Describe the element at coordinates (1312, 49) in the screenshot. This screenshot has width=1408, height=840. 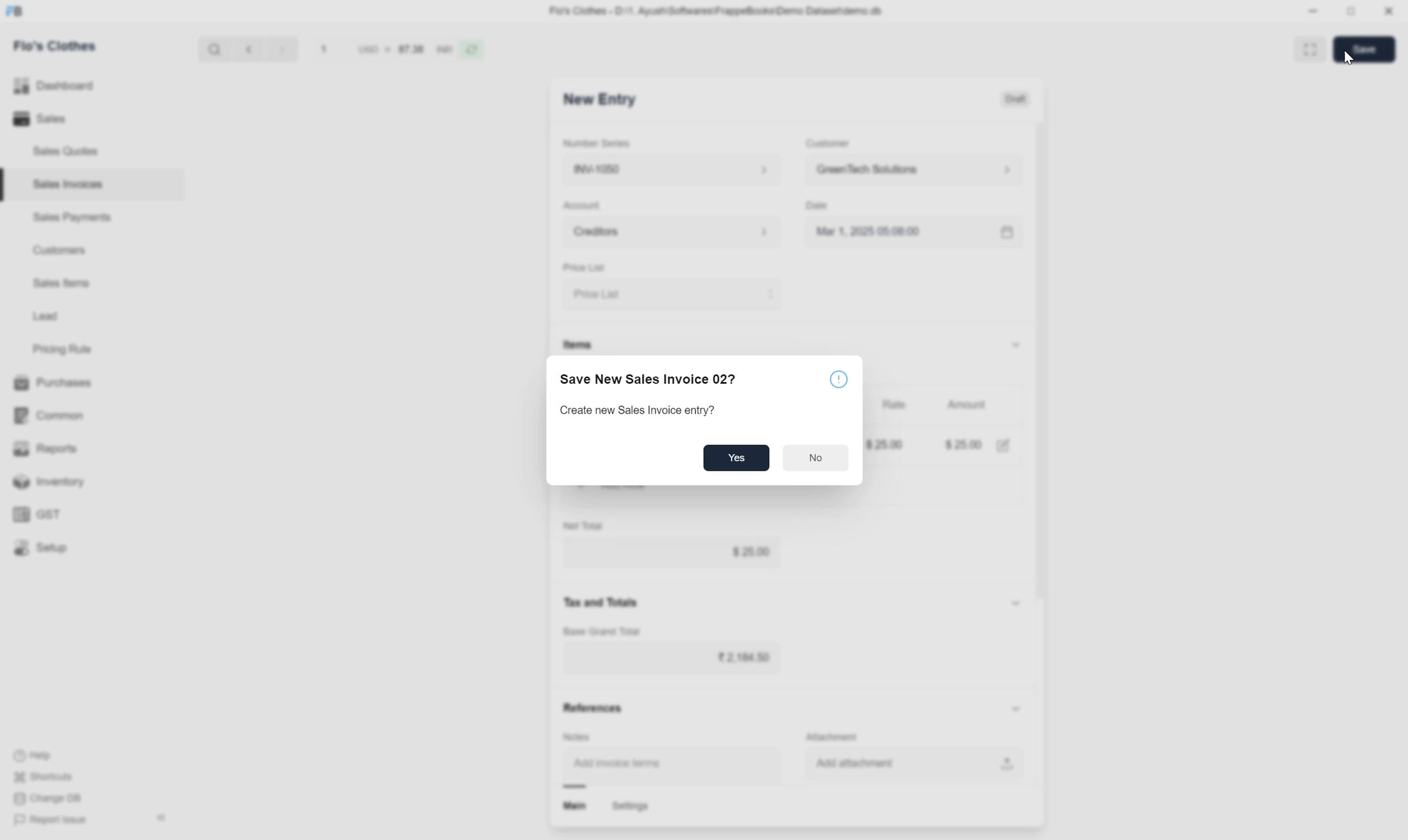
I see `full screen` at that location.